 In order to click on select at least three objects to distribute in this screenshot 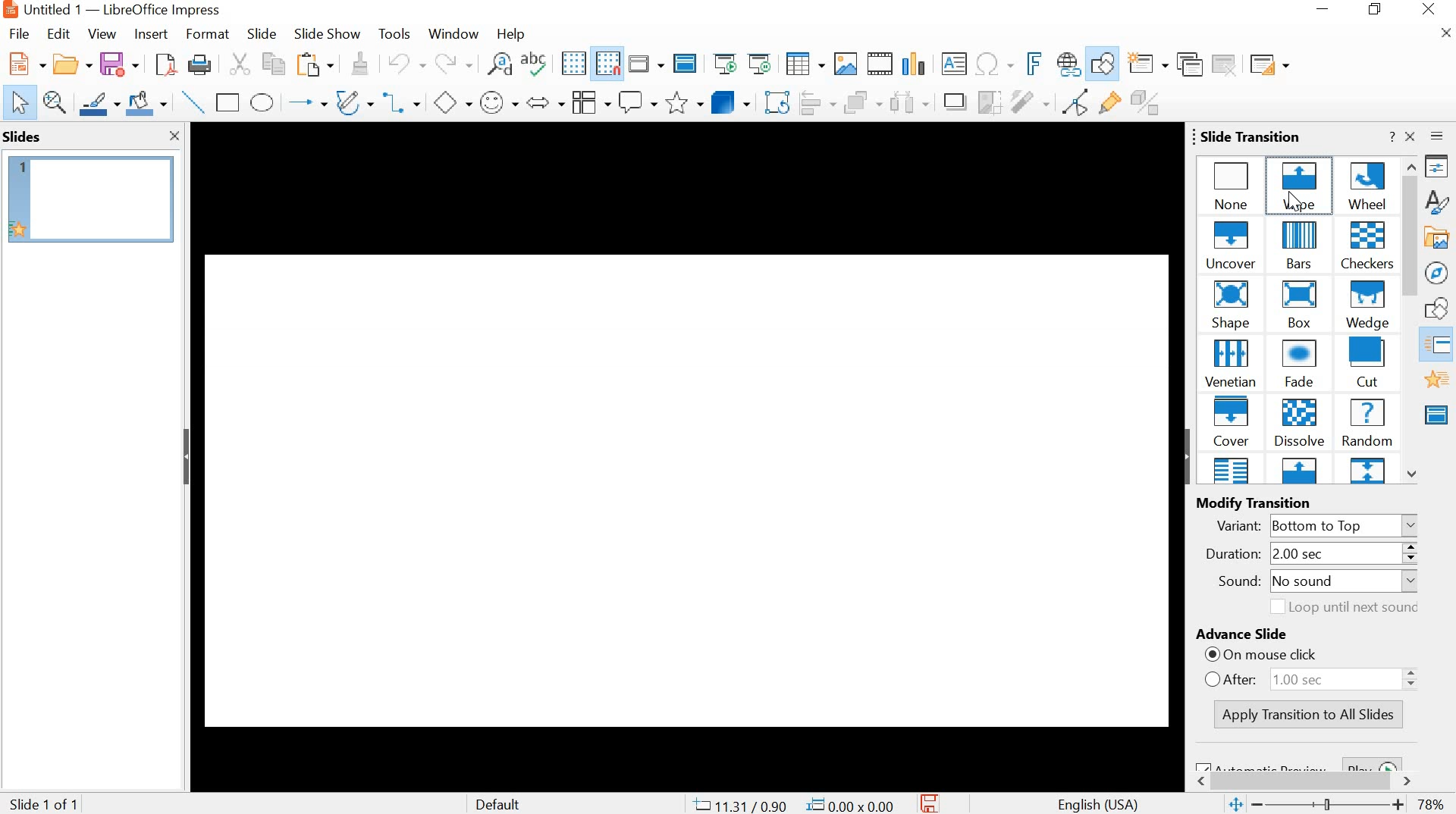, I will do `click(908, 102)`.